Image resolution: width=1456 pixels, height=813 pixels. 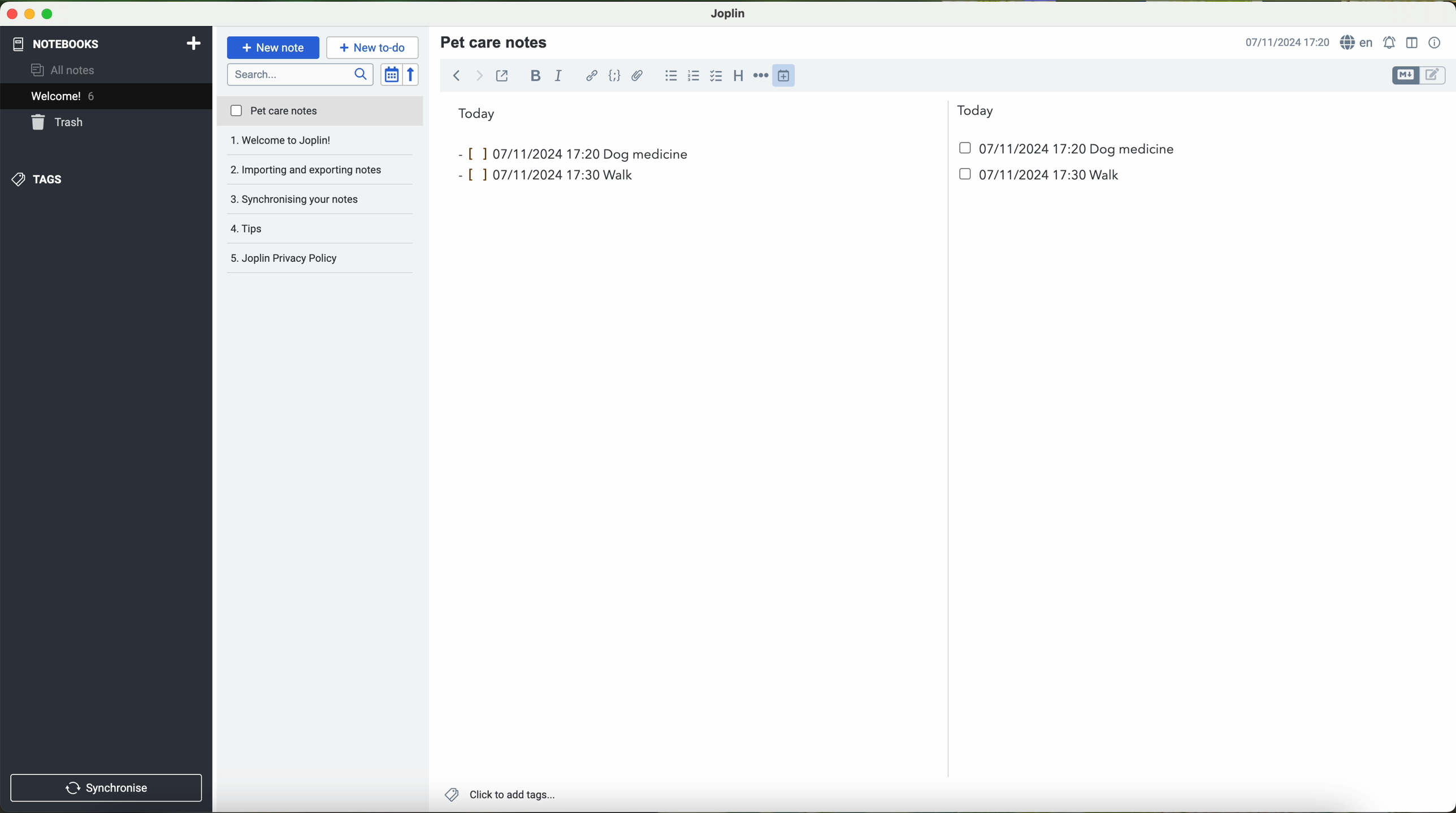 I want to click on search bar, so click(x=302, y=73).